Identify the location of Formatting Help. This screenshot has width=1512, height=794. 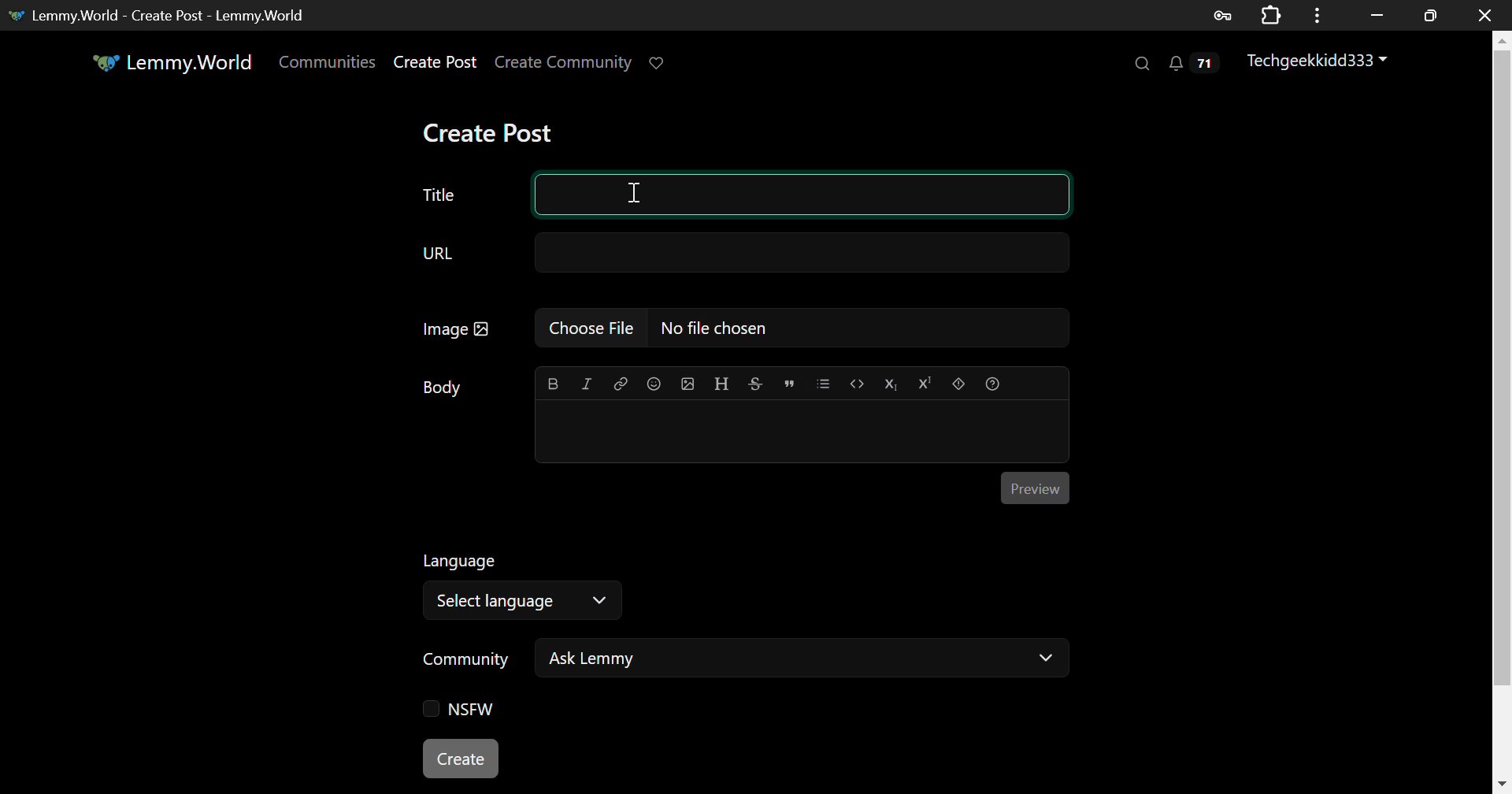
(991, 384).